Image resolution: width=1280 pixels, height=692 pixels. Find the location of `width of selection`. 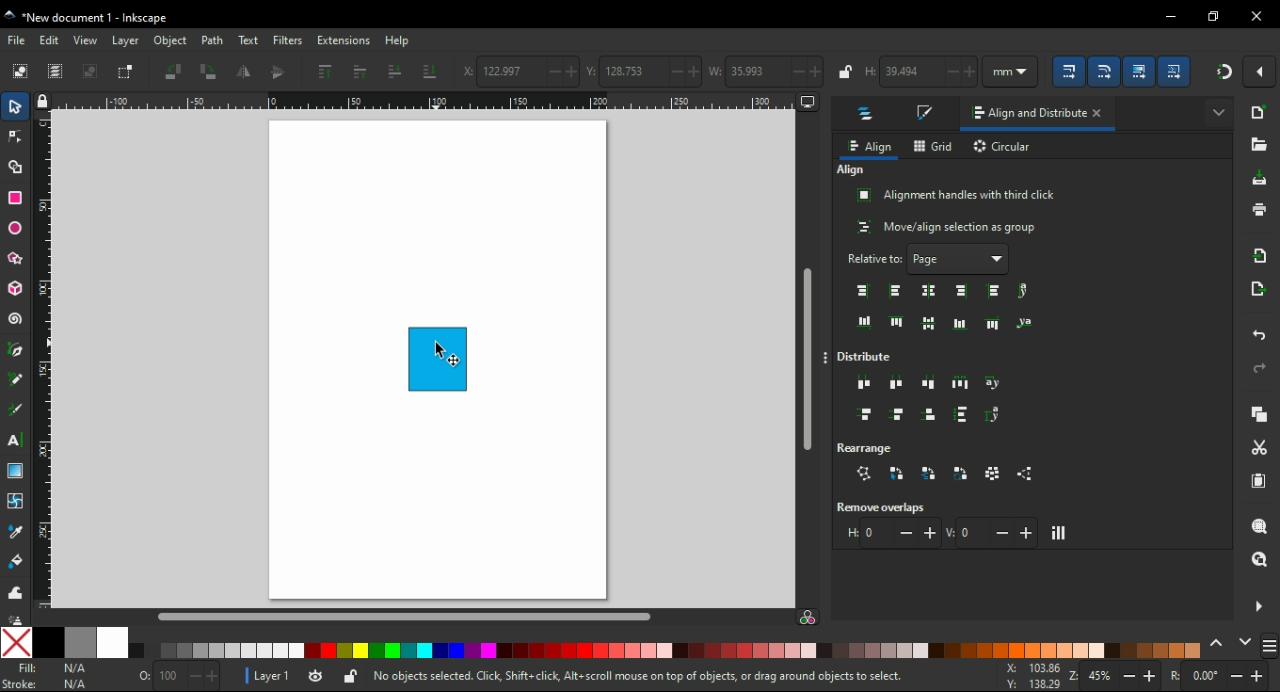

width of selection is located at coordinates (767, 72).